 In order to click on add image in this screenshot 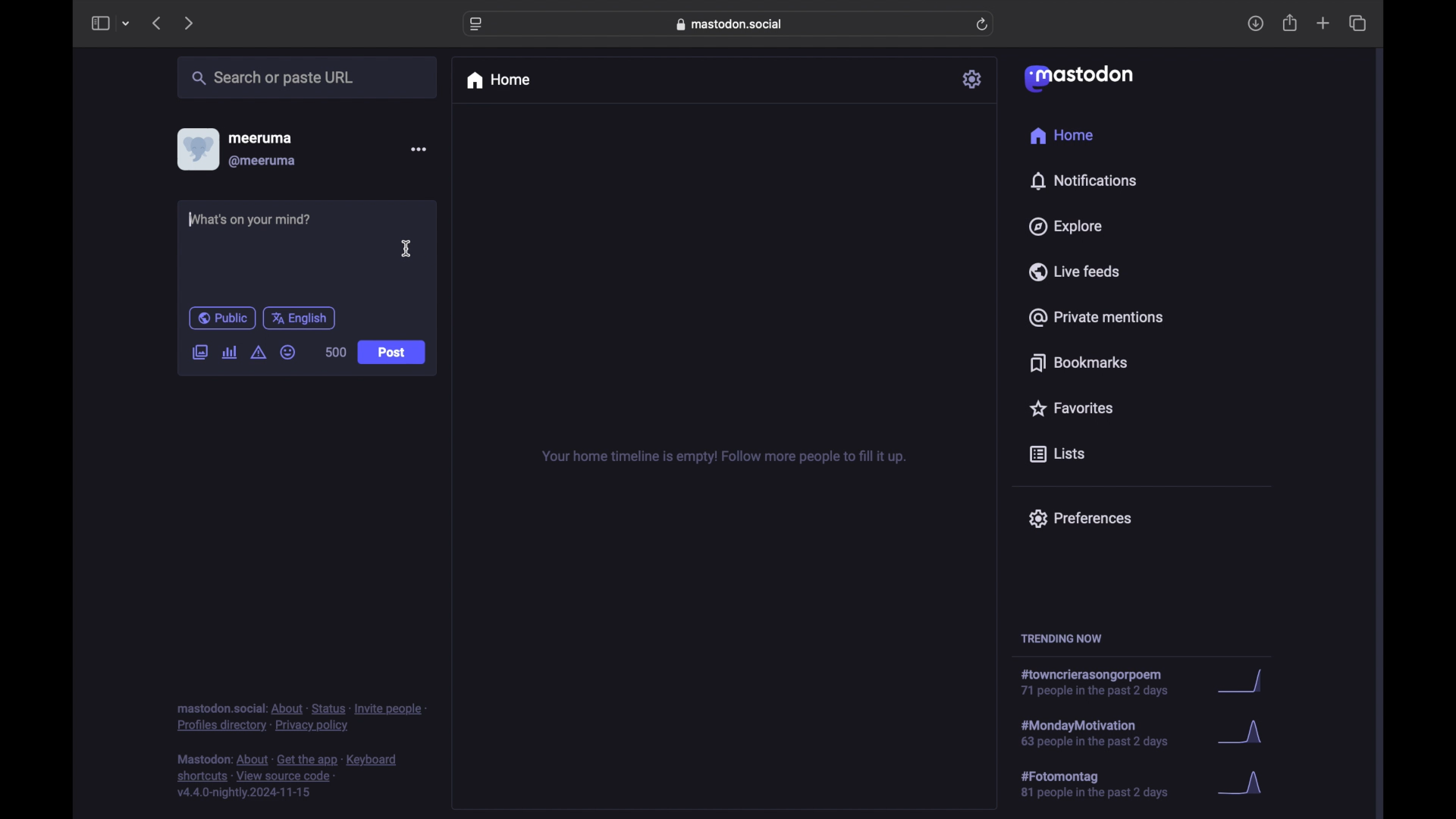, I will do `click(199, 353)`.